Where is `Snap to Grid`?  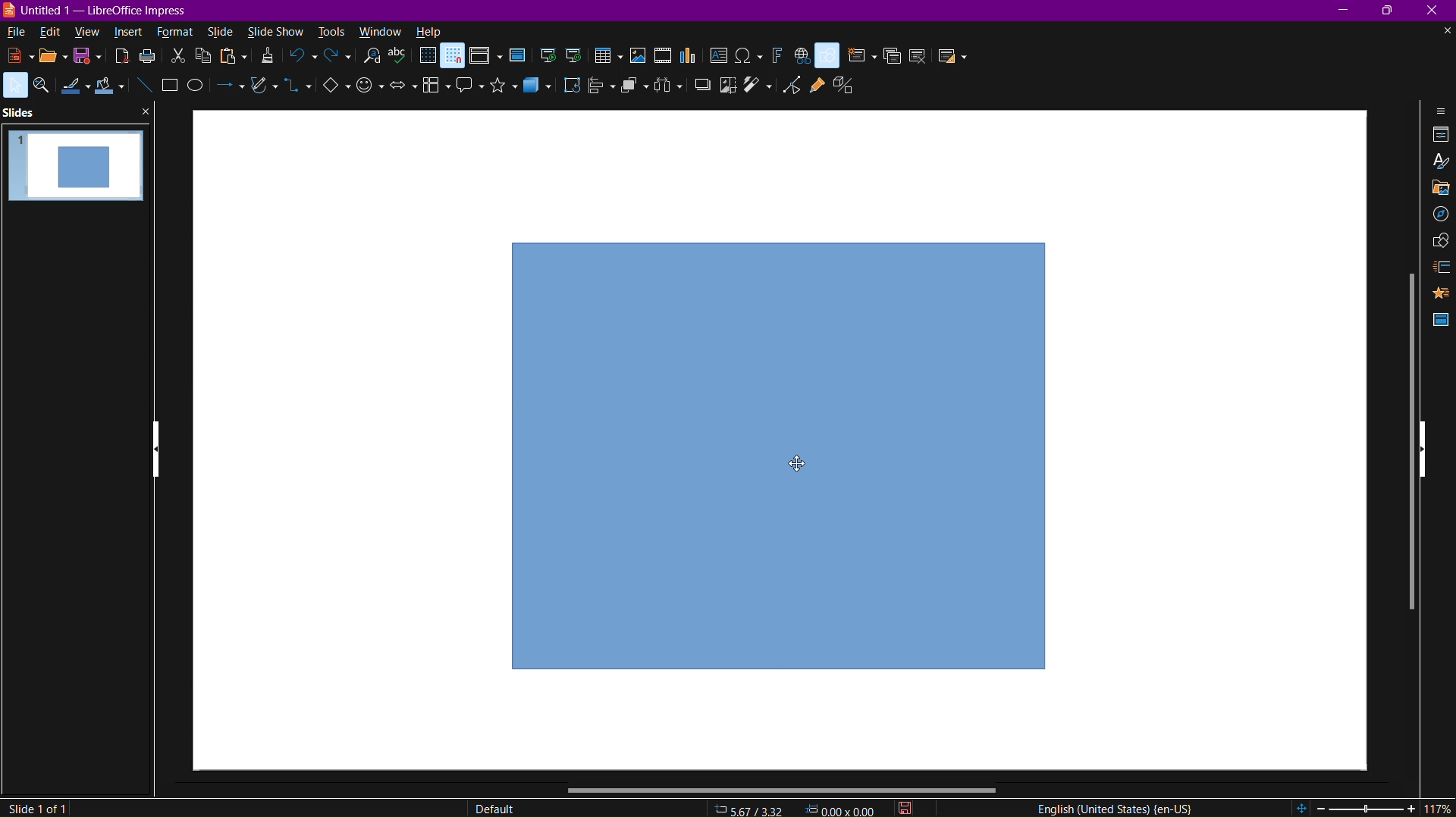 Snap to Grid is located at coordinates (453, 57).